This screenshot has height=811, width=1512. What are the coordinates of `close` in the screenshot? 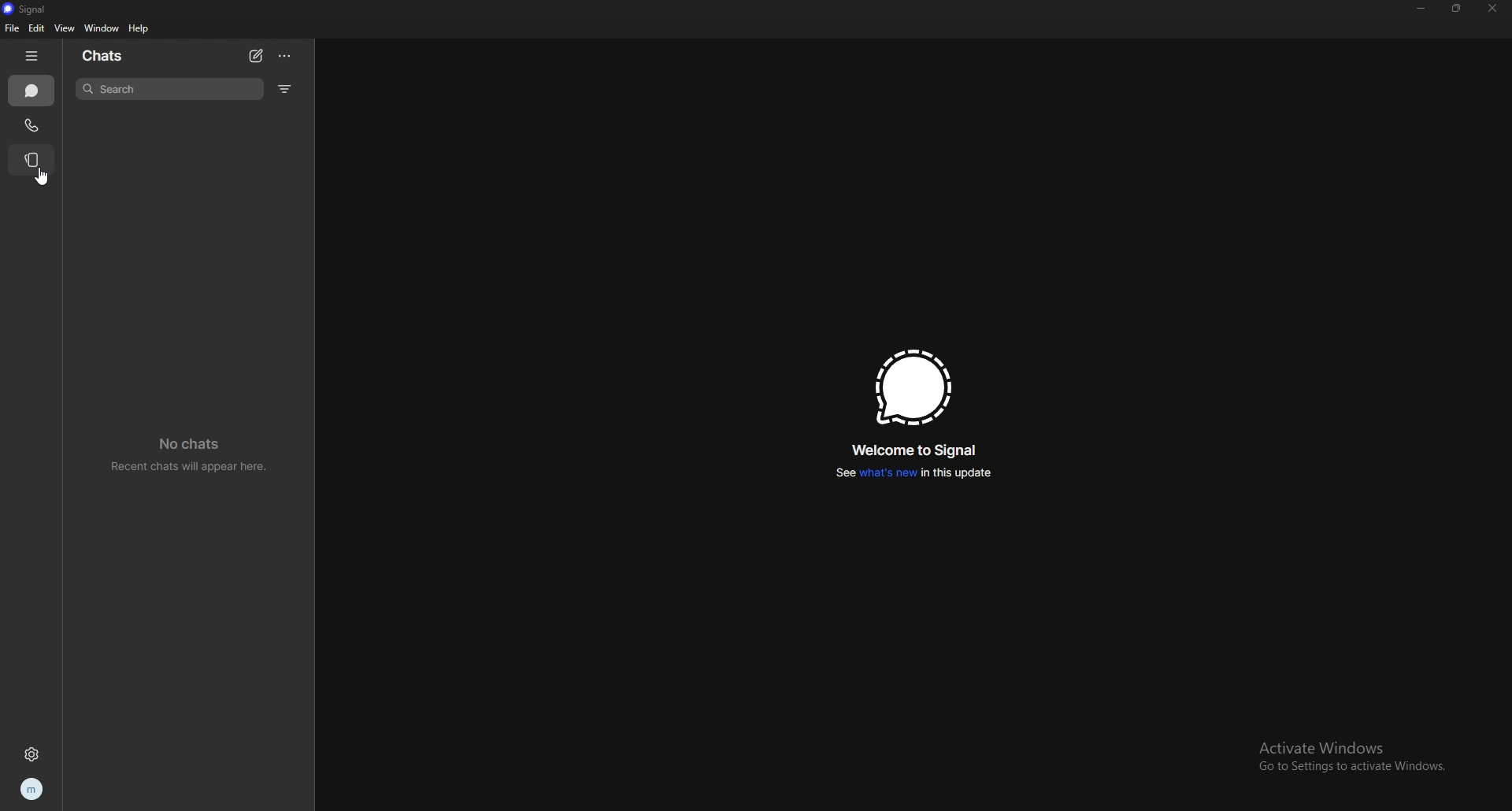 It's located at (1492, 9).